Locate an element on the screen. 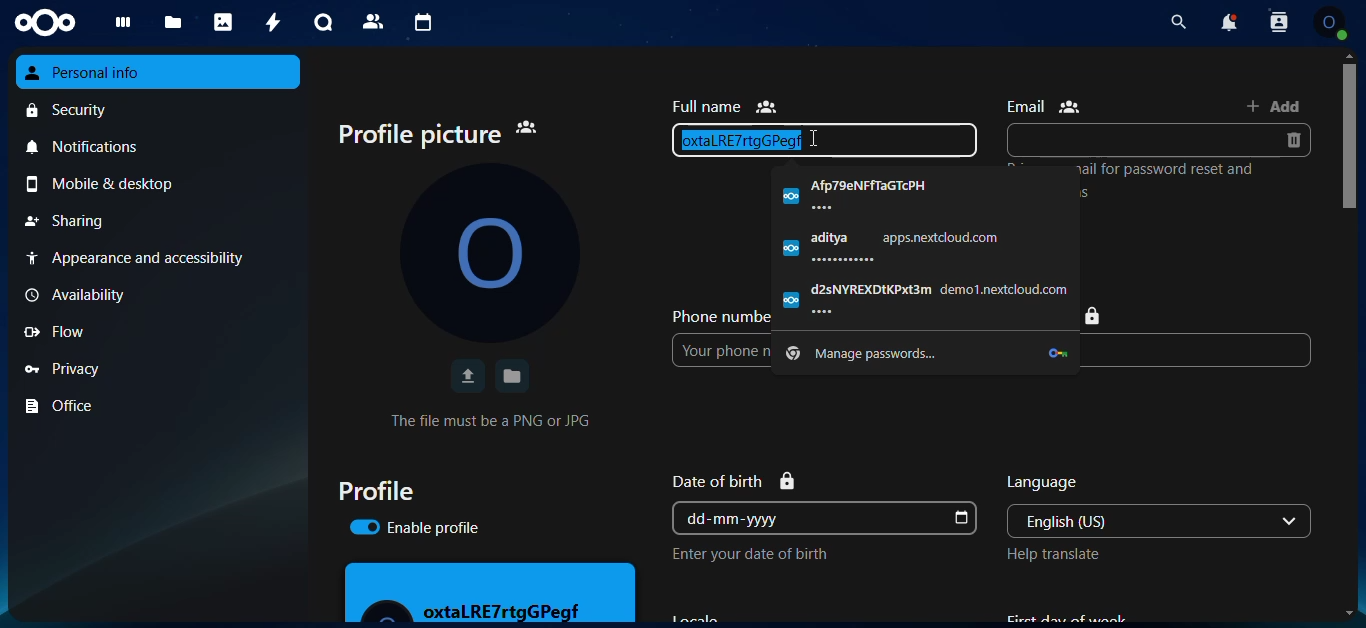  Primary email for password reset and notifications is located at coordinates (1170, 180).